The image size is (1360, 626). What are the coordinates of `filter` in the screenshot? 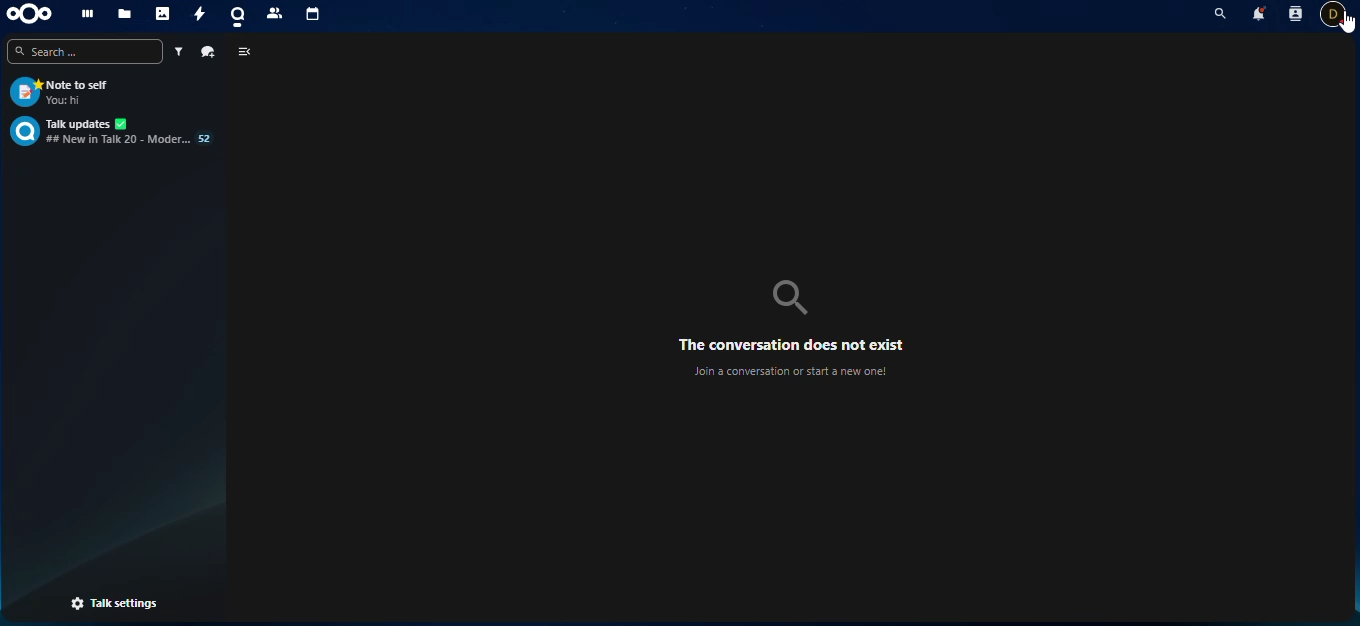 It's located at (177, 51).